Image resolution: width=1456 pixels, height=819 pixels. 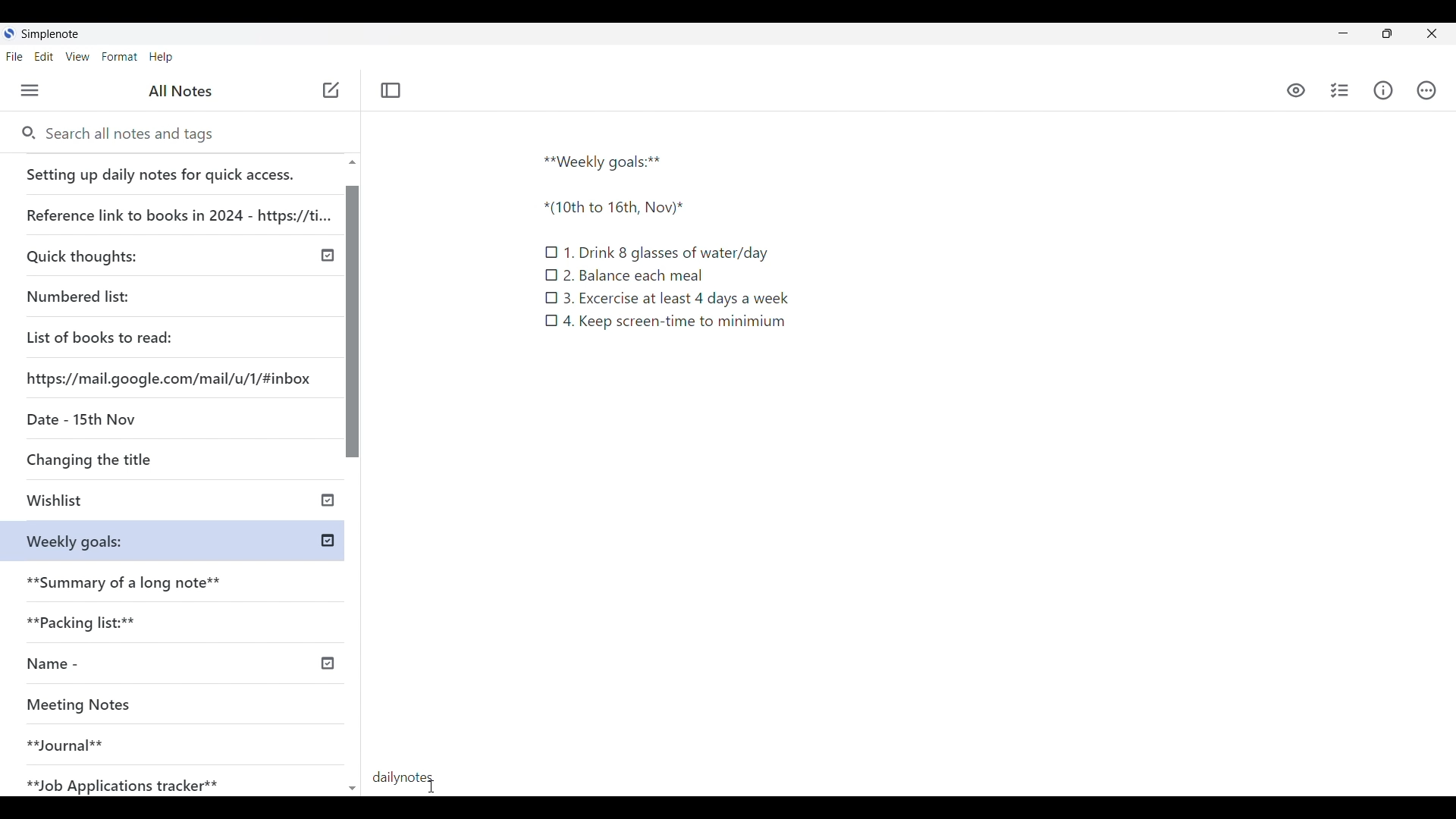 What do you see at coordinates (78, 418) in the screenshot?
I see `Date` at bounding box center [78, 418].